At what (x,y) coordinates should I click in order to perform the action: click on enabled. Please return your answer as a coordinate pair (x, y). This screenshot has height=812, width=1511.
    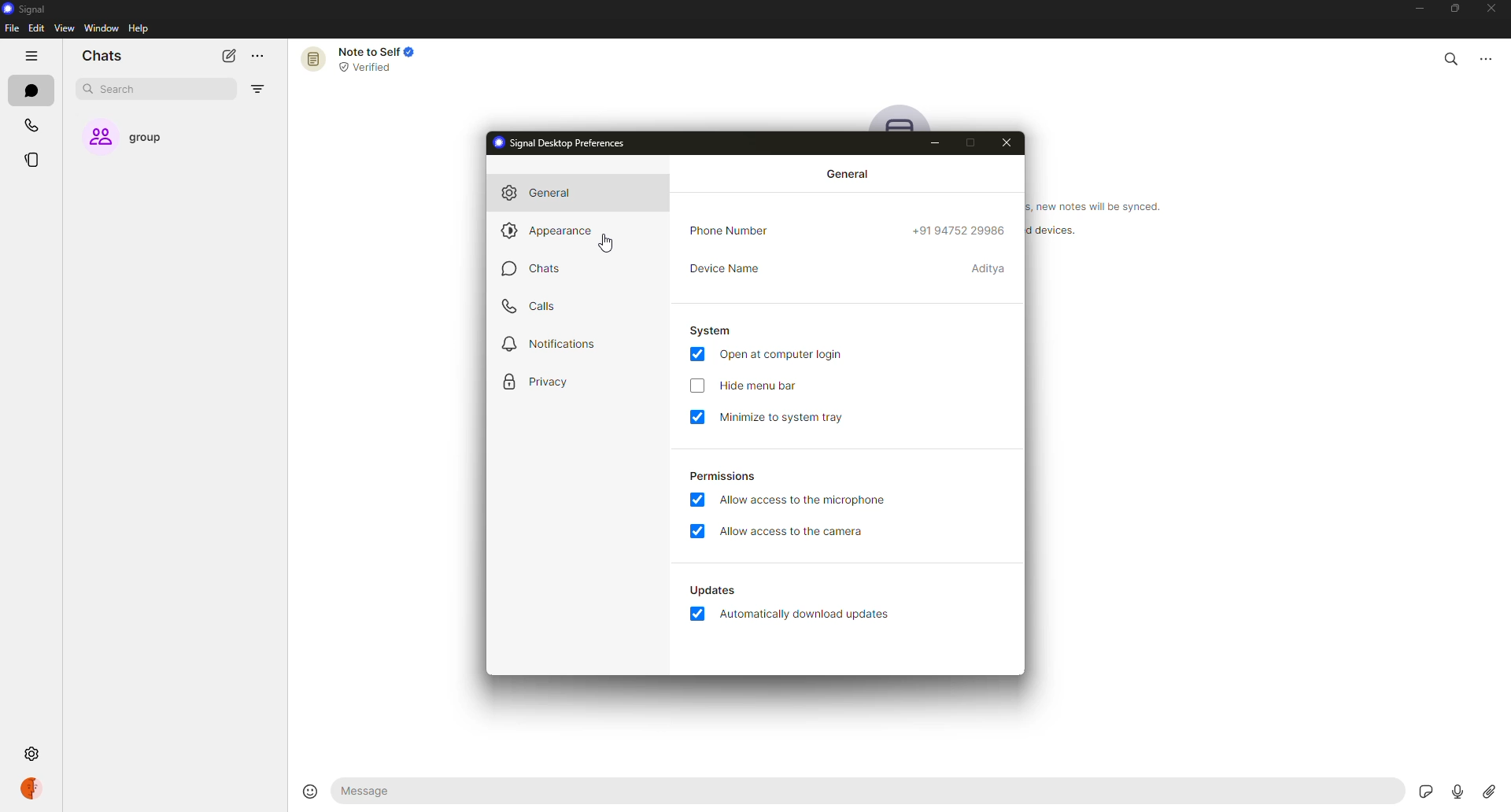
    Looking at the image, I should click on (696, 614).